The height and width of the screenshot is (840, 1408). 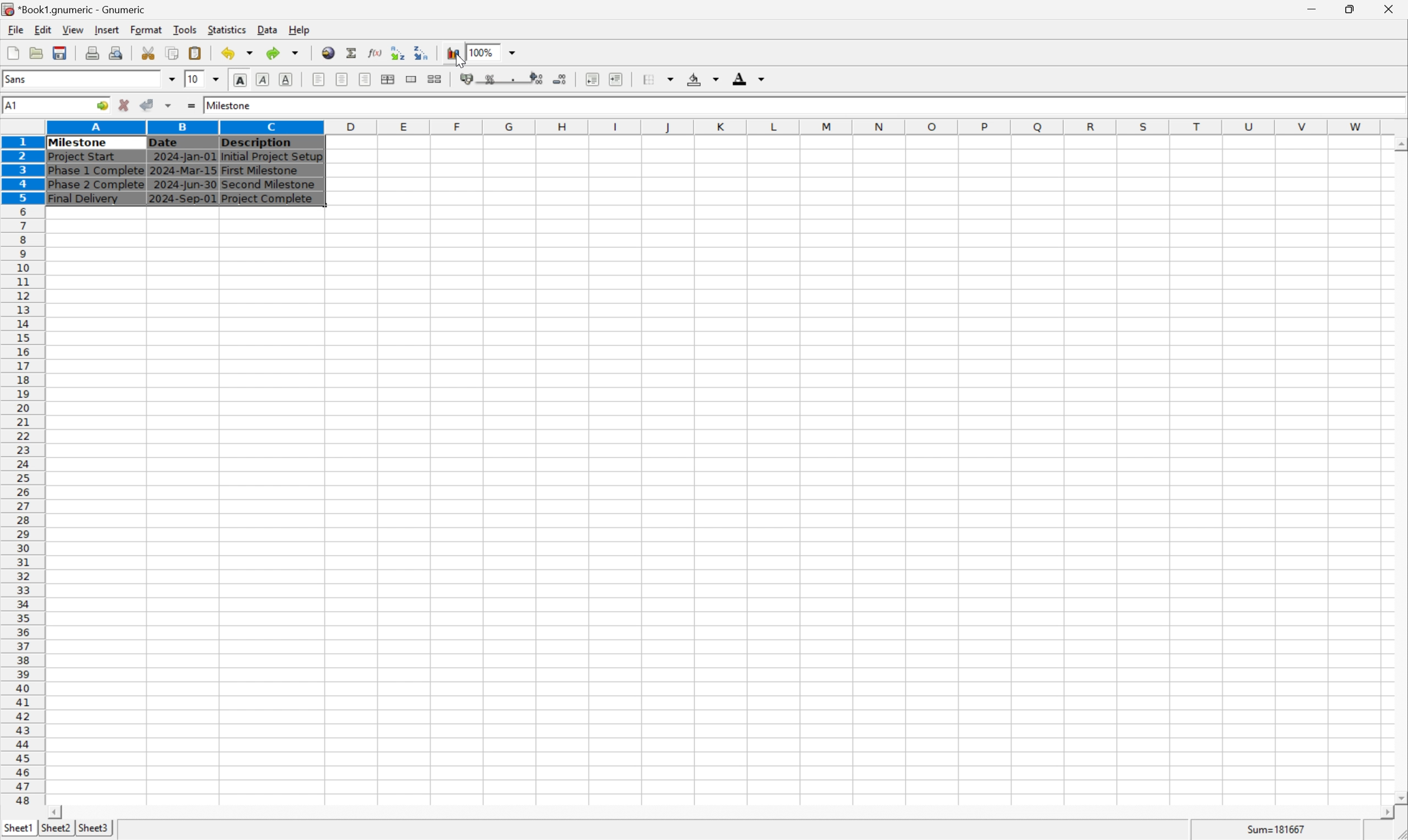 I want to click on underline, so click(x=286, y=79).